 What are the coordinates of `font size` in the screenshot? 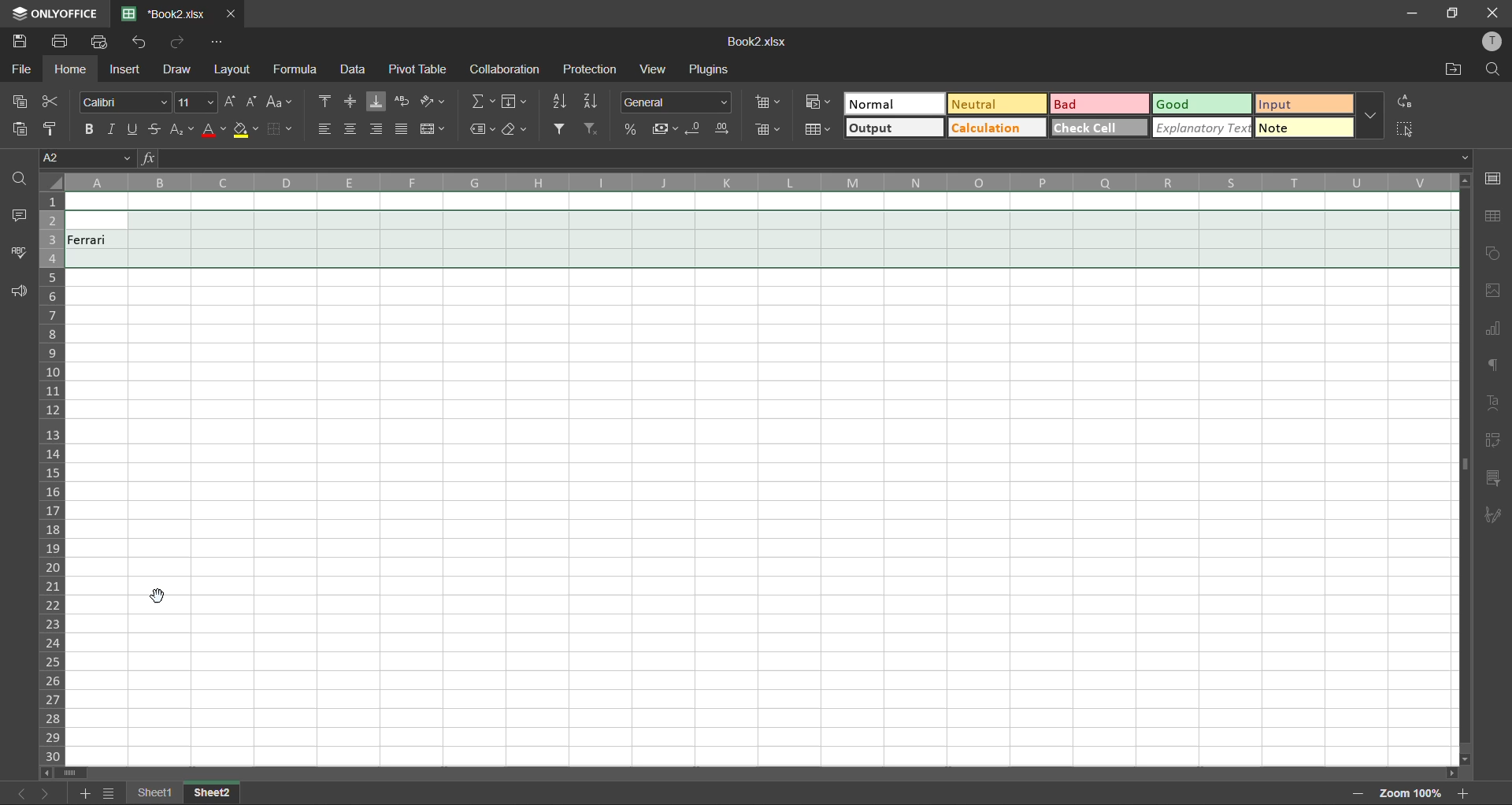 It's located at (196, 103).